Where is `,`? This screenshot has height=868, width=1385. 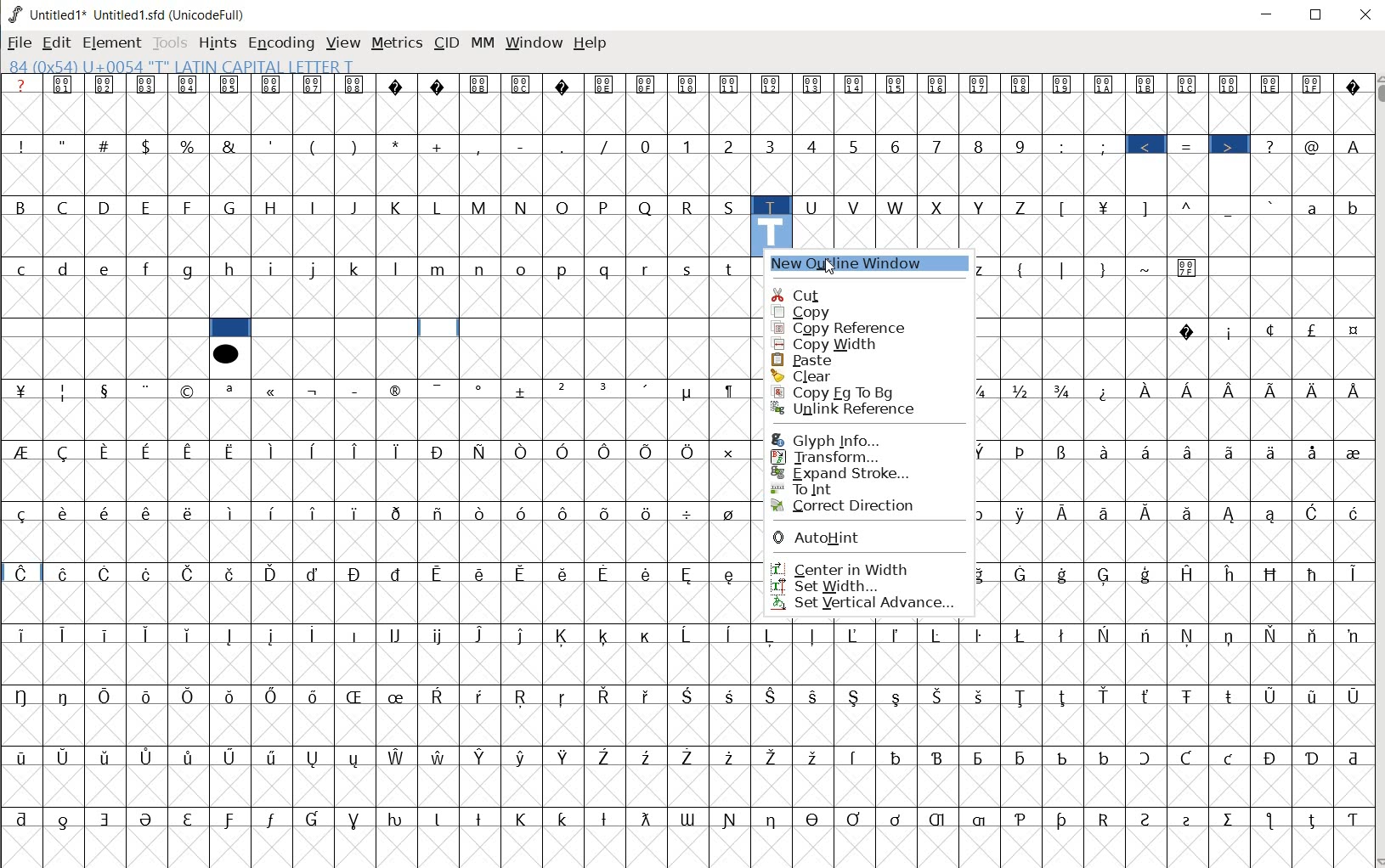
, is located at coordinates (480, 146).